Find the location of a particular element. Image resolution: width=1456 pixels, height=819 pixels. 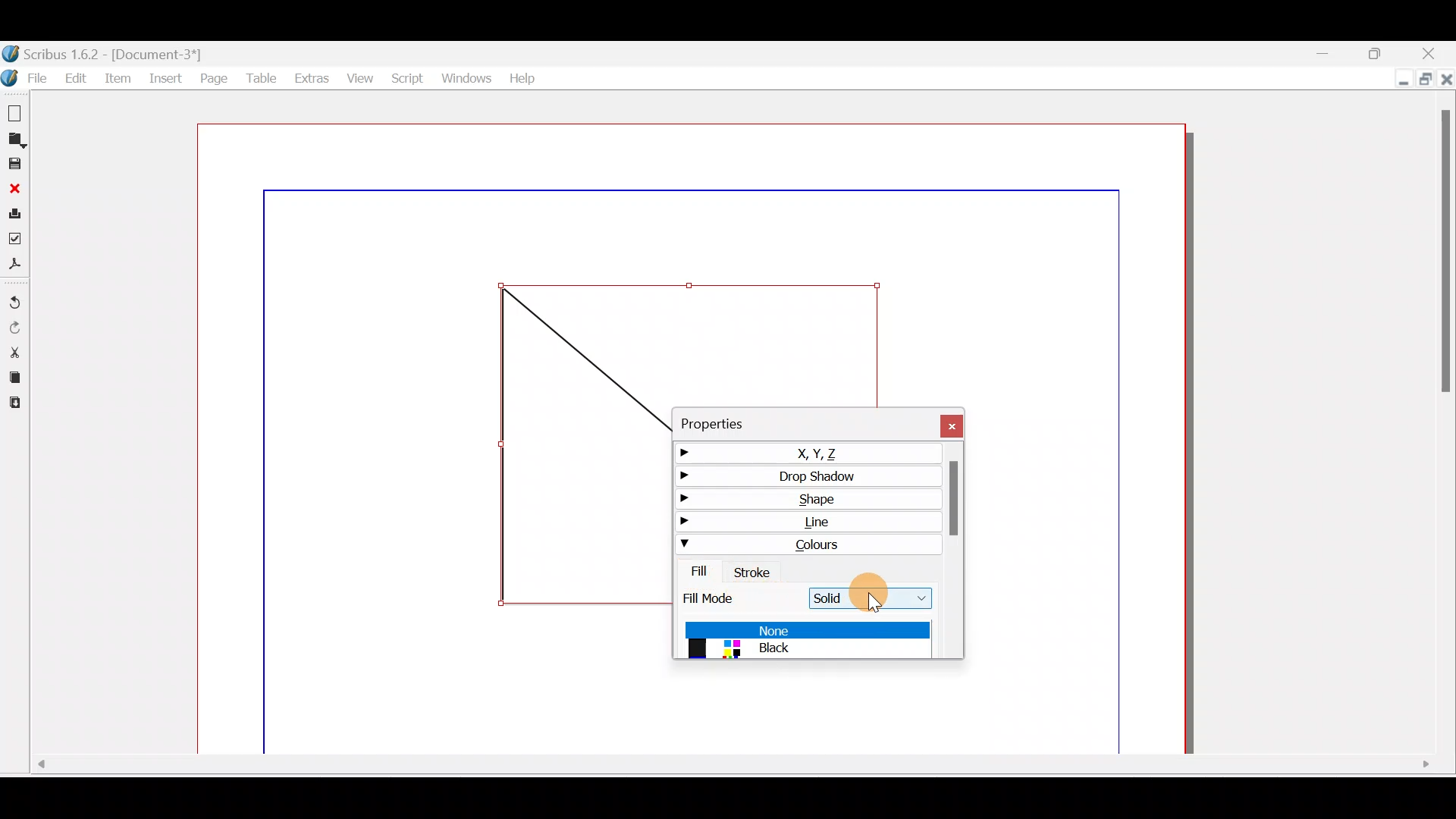

Insert is located at coordinates (165, 80).